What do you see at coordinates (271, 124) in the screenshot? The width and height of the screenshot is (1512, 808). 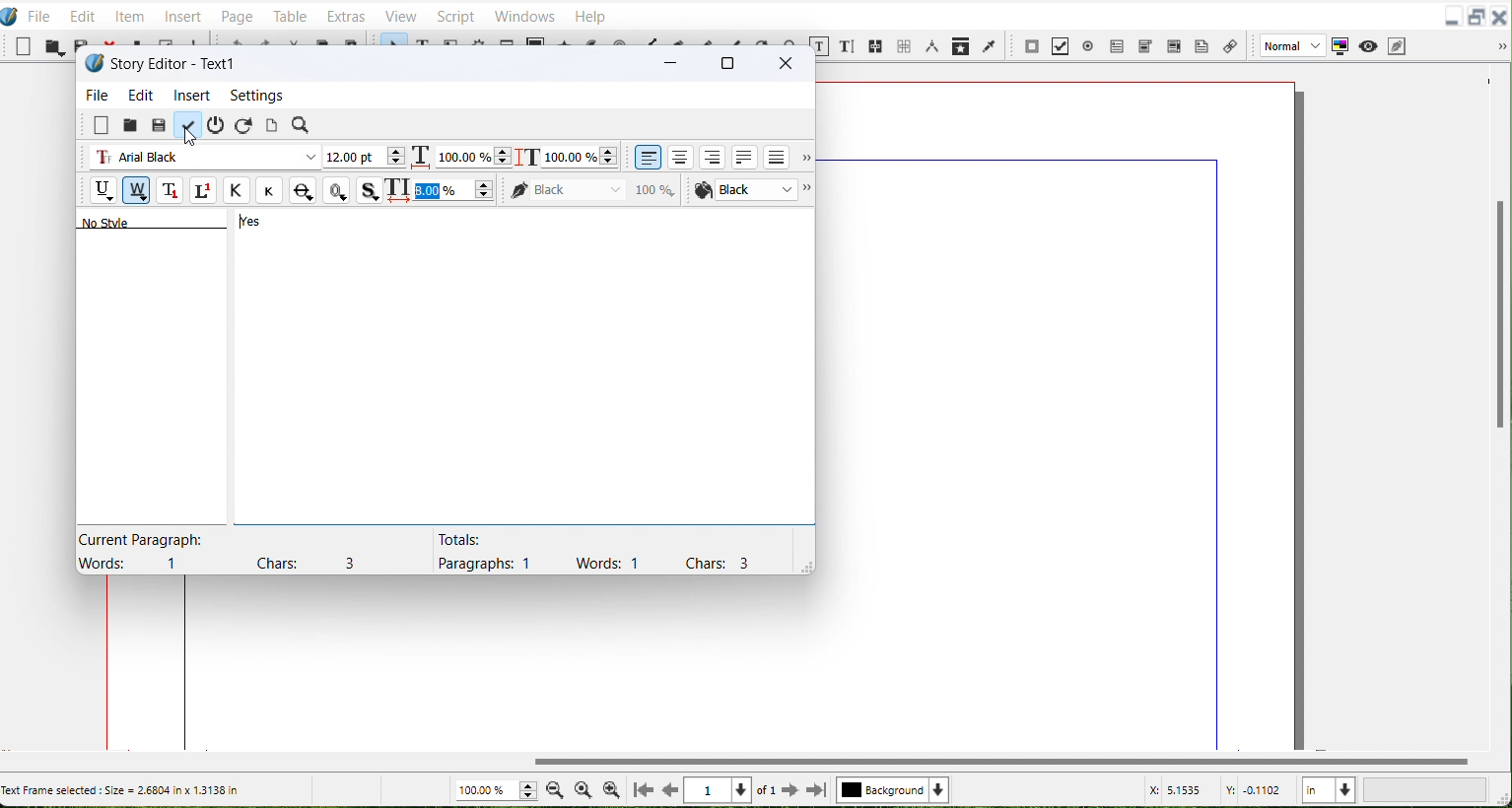 I see `Update text frame` at bounding box center [271, 124].